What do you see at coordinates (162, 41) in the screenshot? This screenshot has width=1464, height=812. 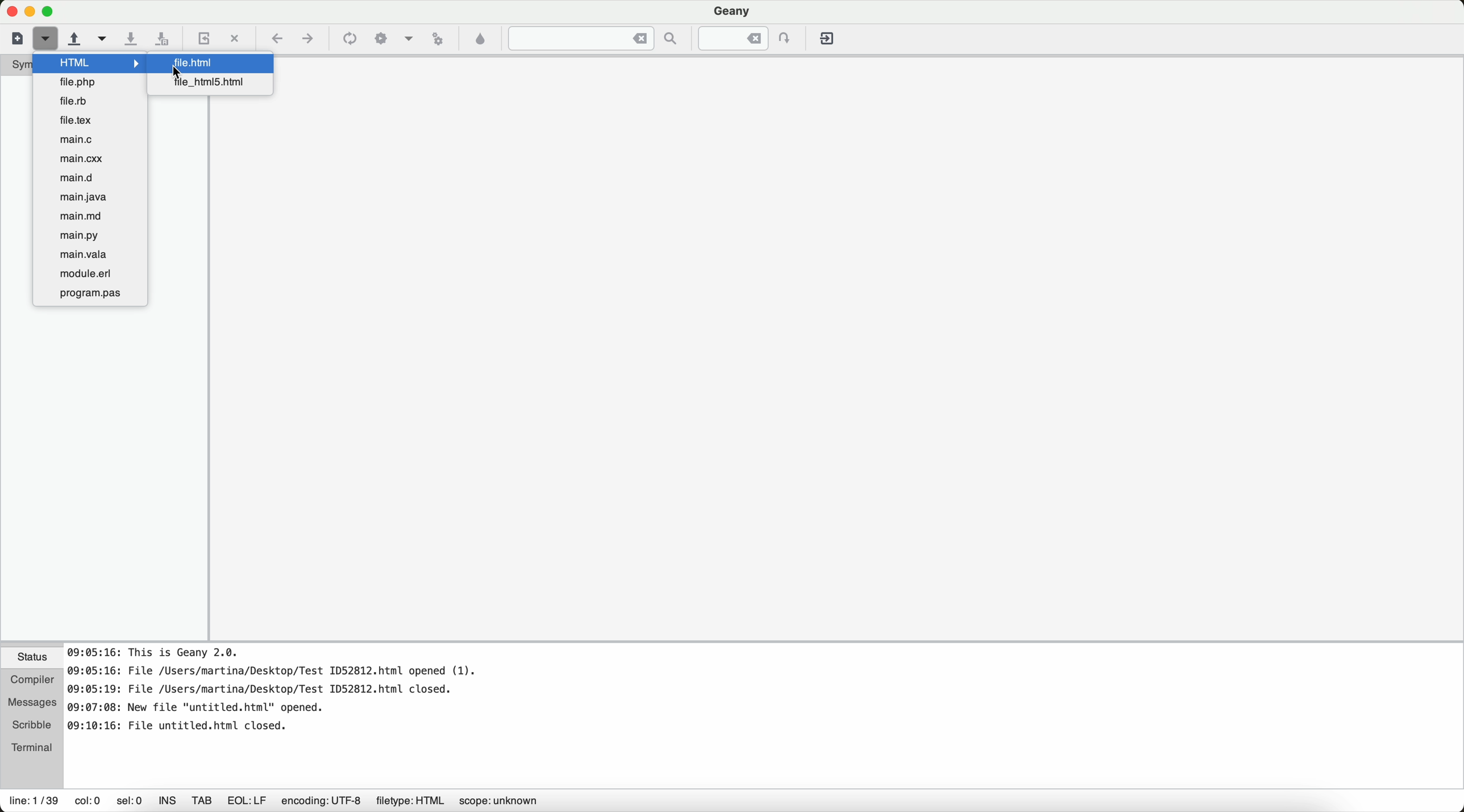 I see `save all open files` at bounding box center [162, 41].